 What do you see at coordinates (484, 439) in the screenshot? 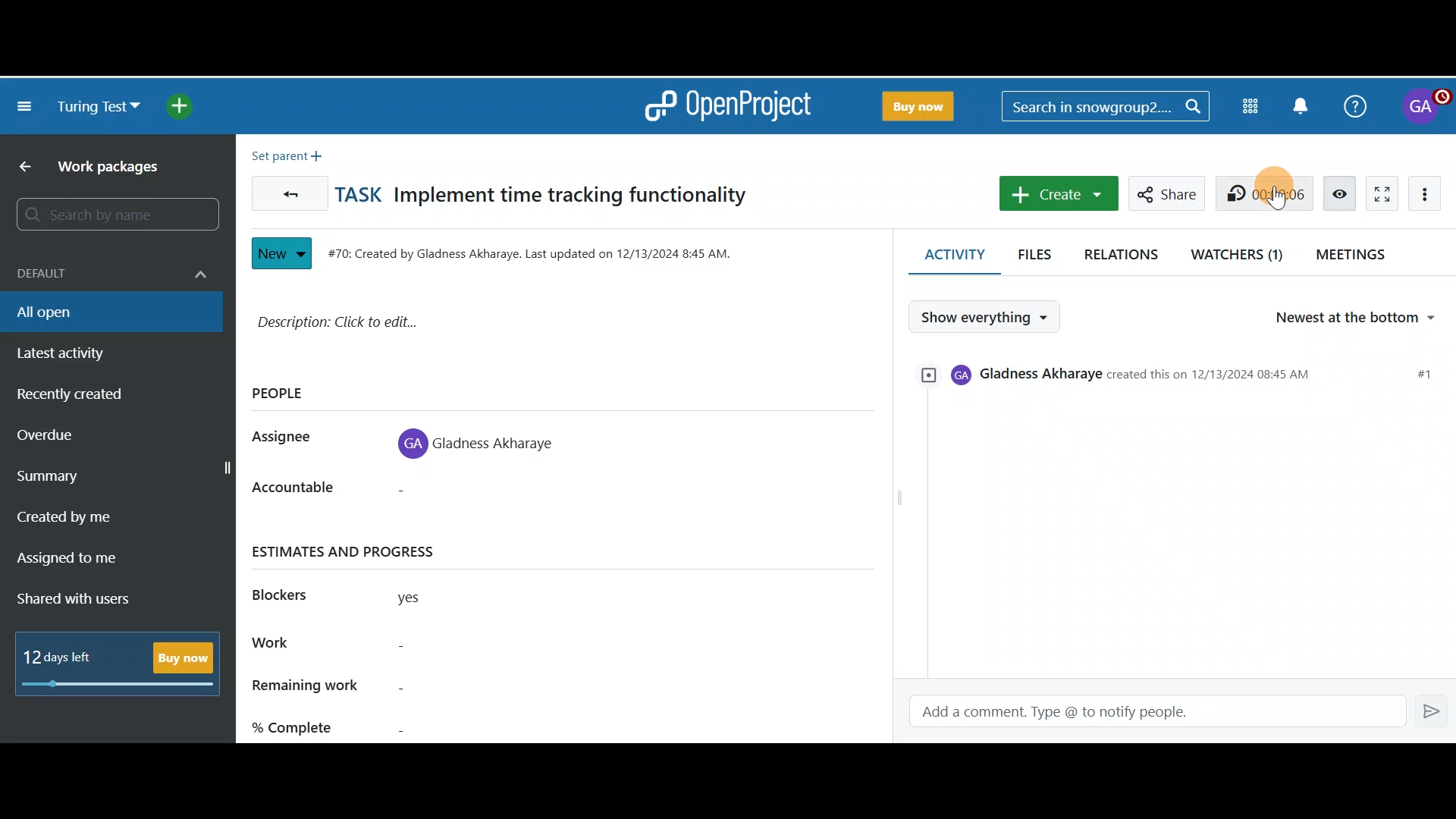
I see `Gladness Akharaye` at bounding box center [484, 439].